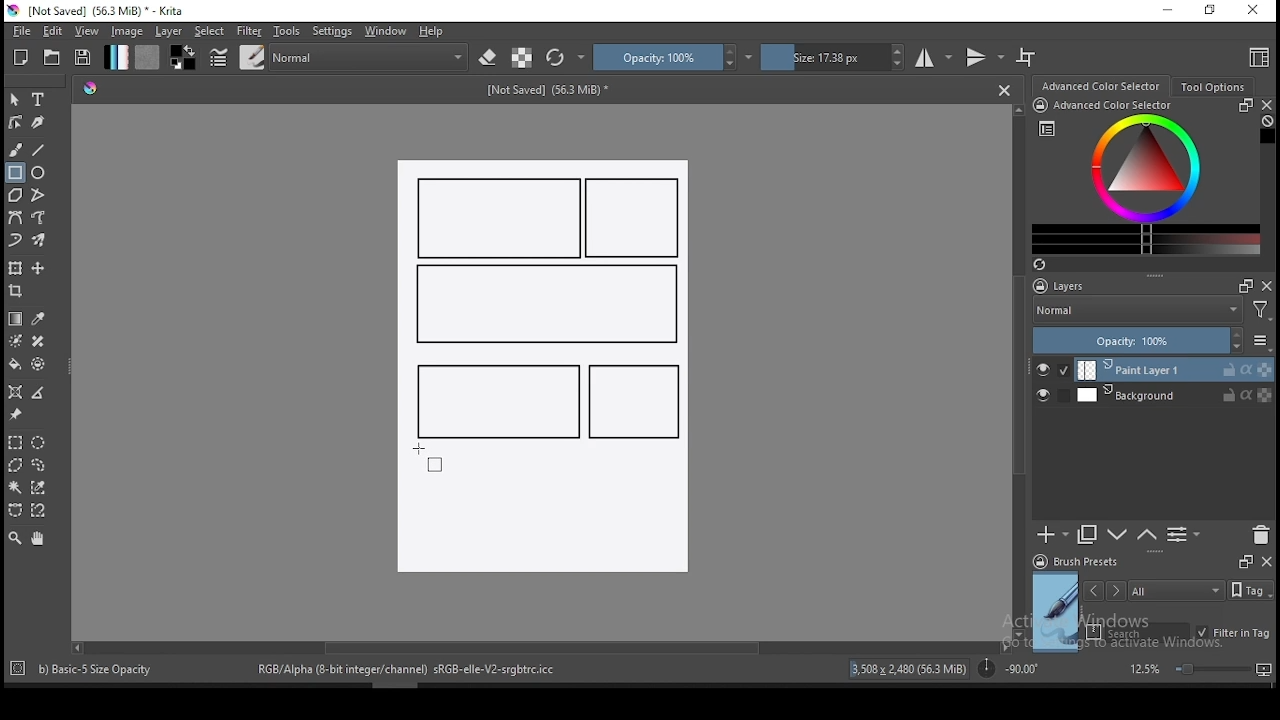 This screenshot has width=1280, height=720. What do you see at coordinates (39, 100) in the screenshot?
I see `text tool` at bounding box center [39, 100].